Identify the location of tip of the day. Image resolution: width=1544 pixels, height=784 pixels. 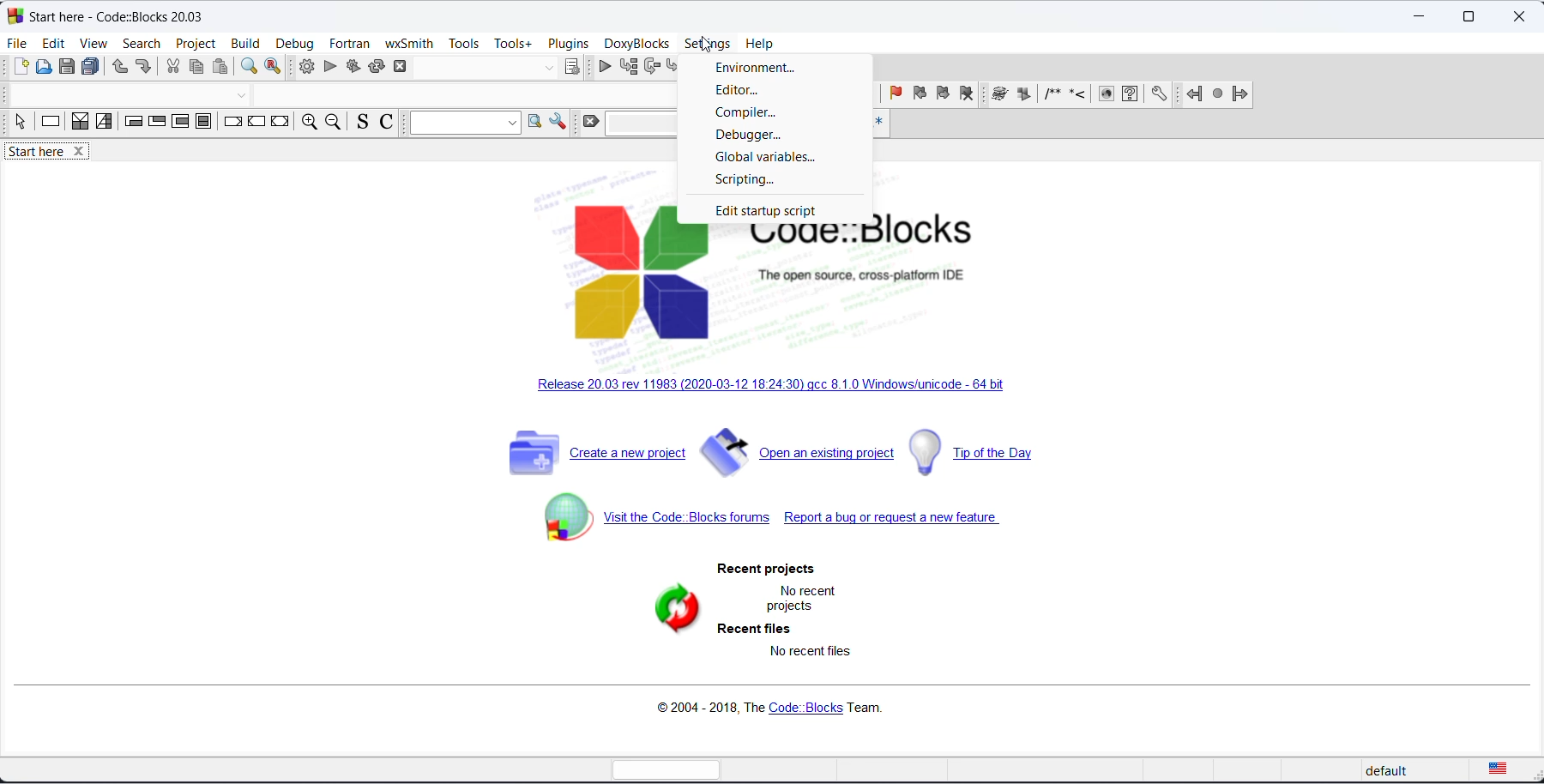
(981, 454).